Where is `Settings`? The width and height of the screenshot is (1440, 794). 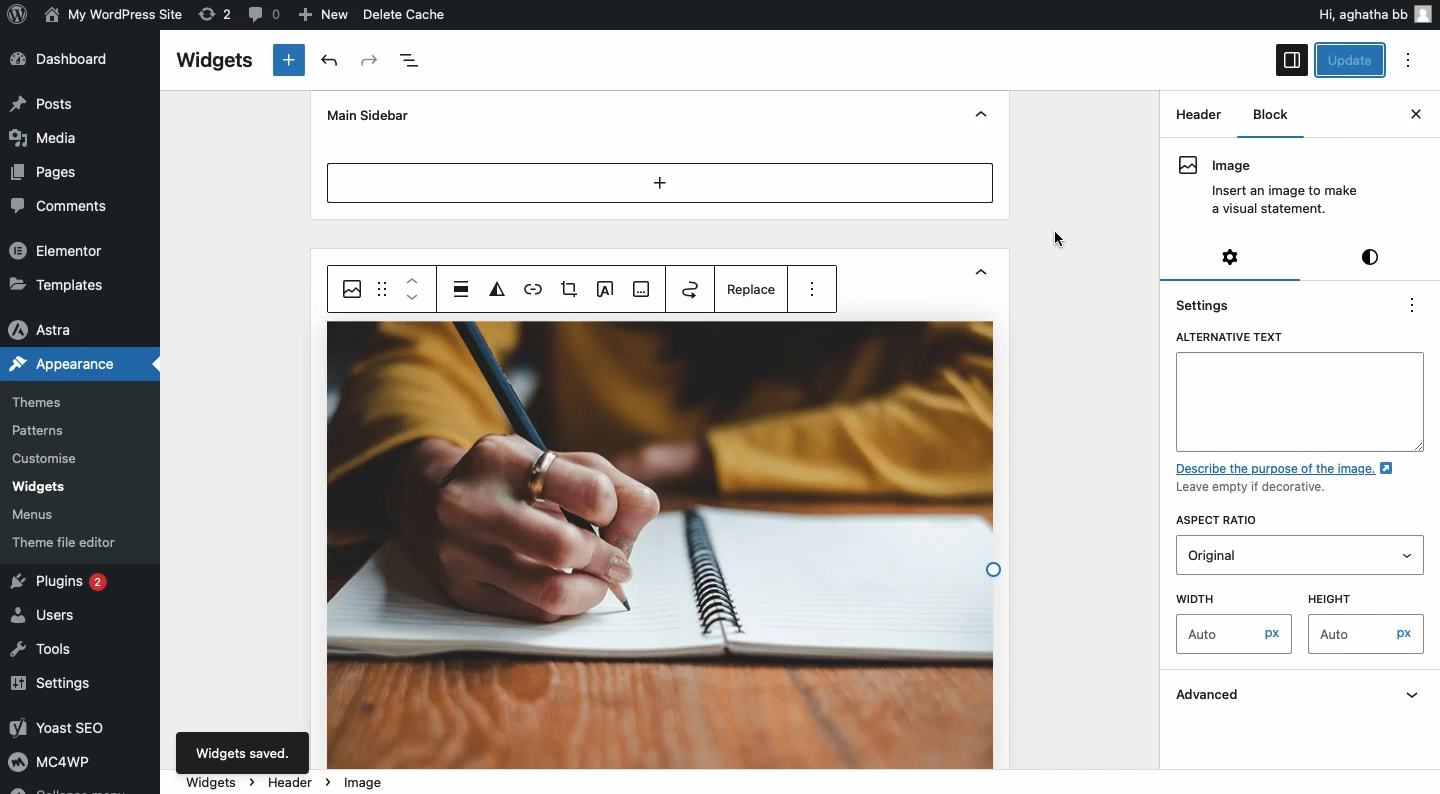
Settings is located at coordinates (1233, 256).